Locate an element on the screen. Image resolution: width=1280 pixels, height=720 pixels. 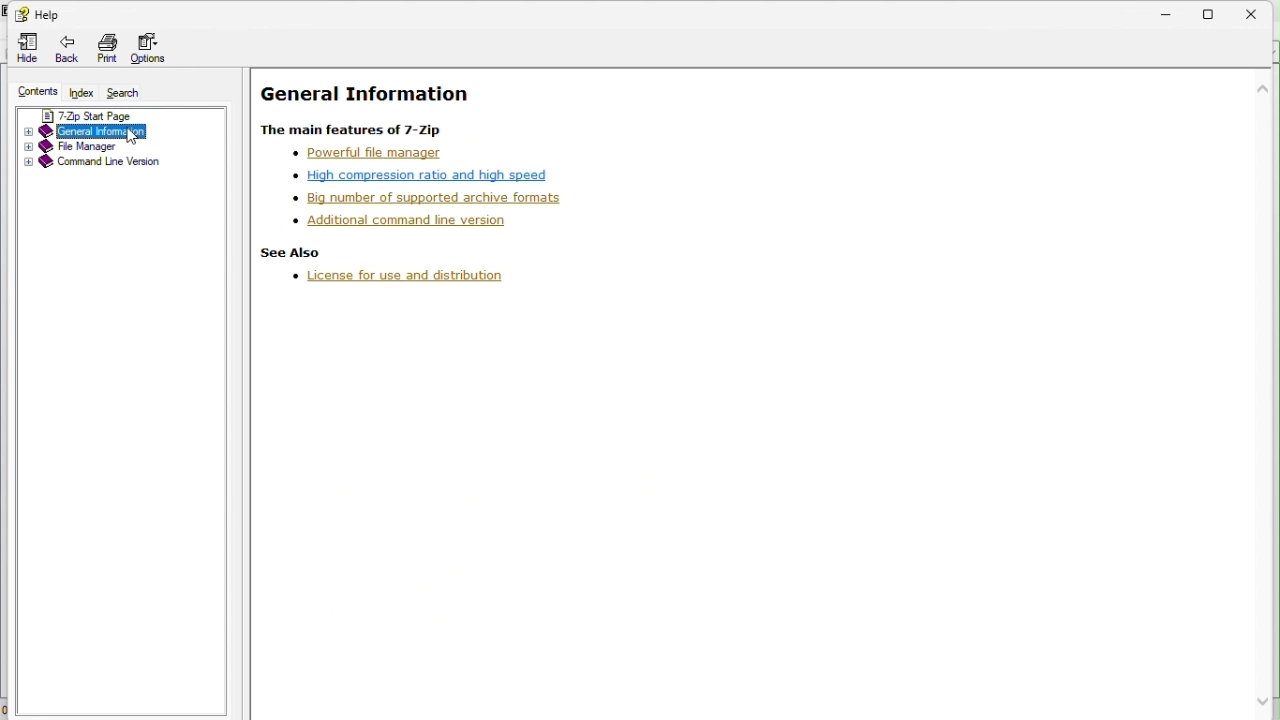
Powerful file manager  is located at coordinates (367, 153).